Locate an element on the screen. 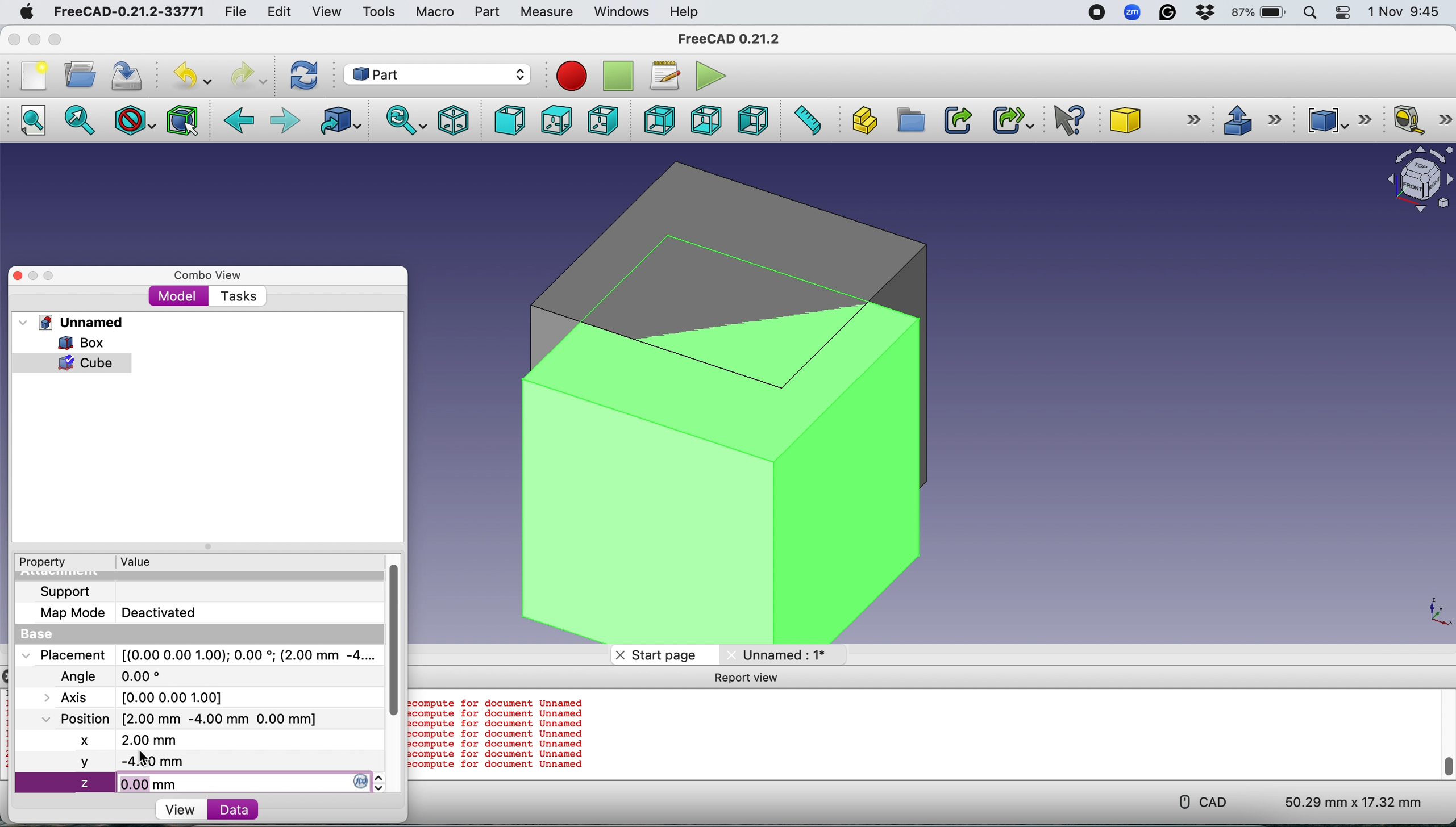  File is located at coordinates (232, 12).